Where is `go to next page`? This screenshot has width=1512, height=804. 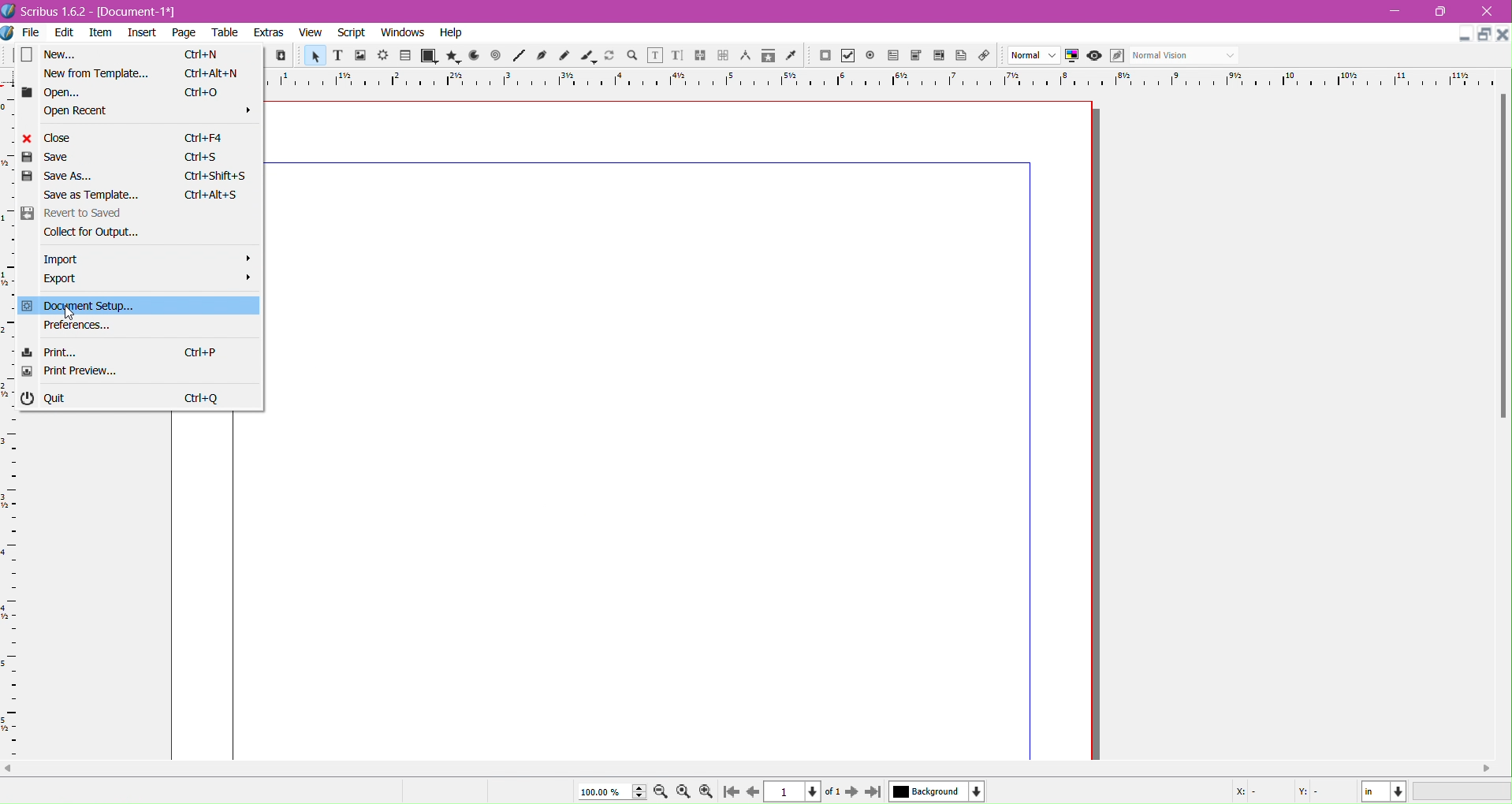 go to next page is located at coordinates (851, 793).